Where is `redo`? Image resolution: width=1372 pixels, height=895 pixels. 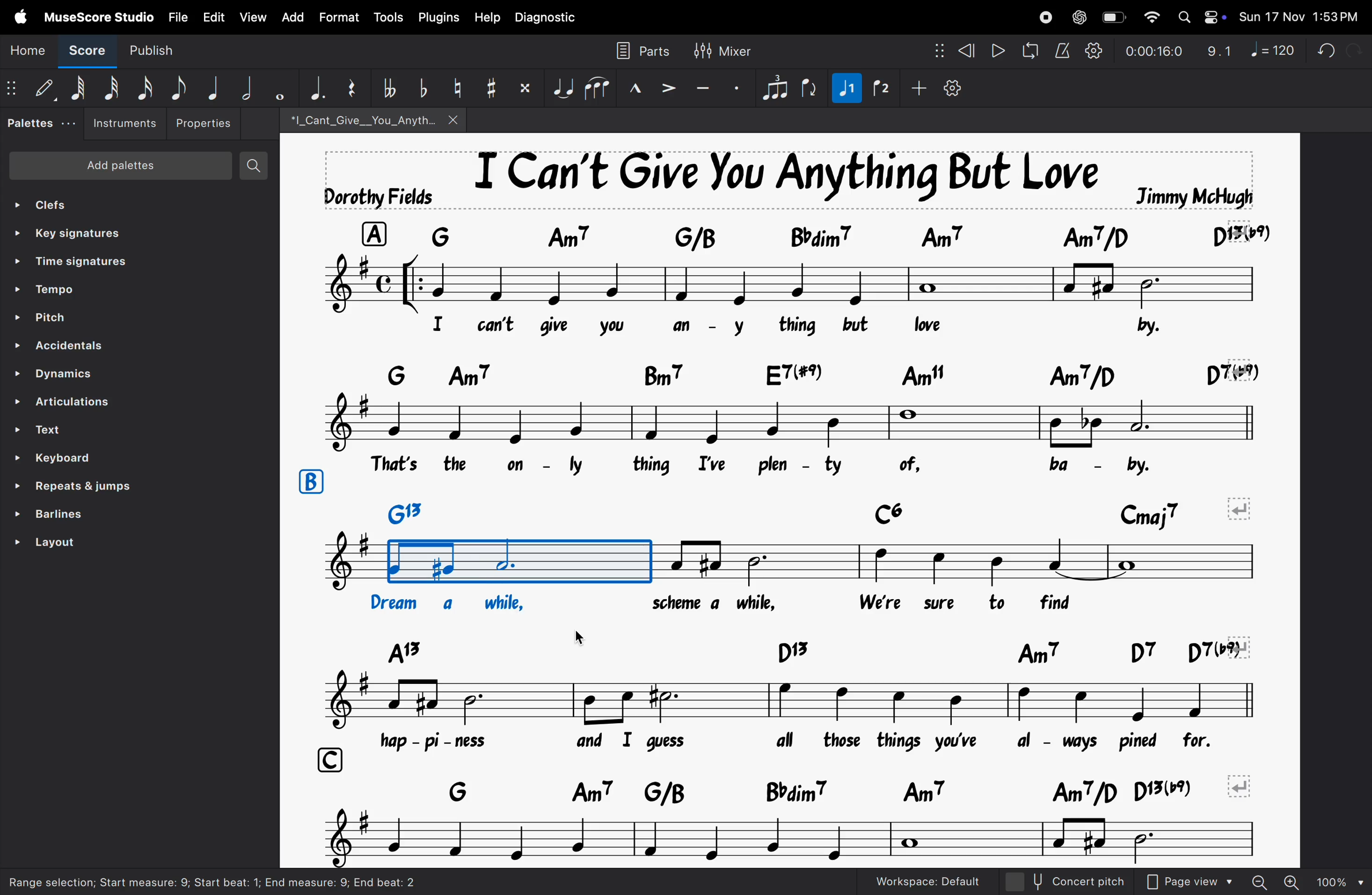 redo is located at coordinates (1355, 46).